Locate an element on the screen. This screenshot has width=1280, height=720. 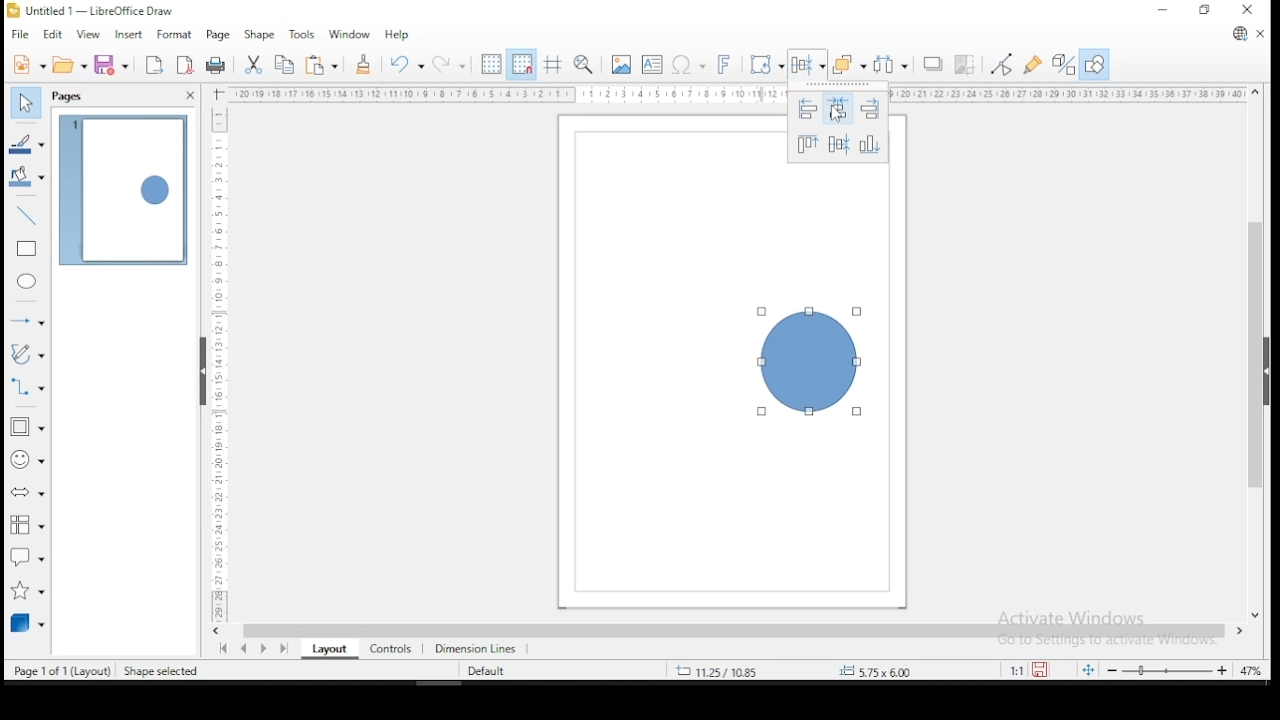
view is located at coordinates (88, 35).